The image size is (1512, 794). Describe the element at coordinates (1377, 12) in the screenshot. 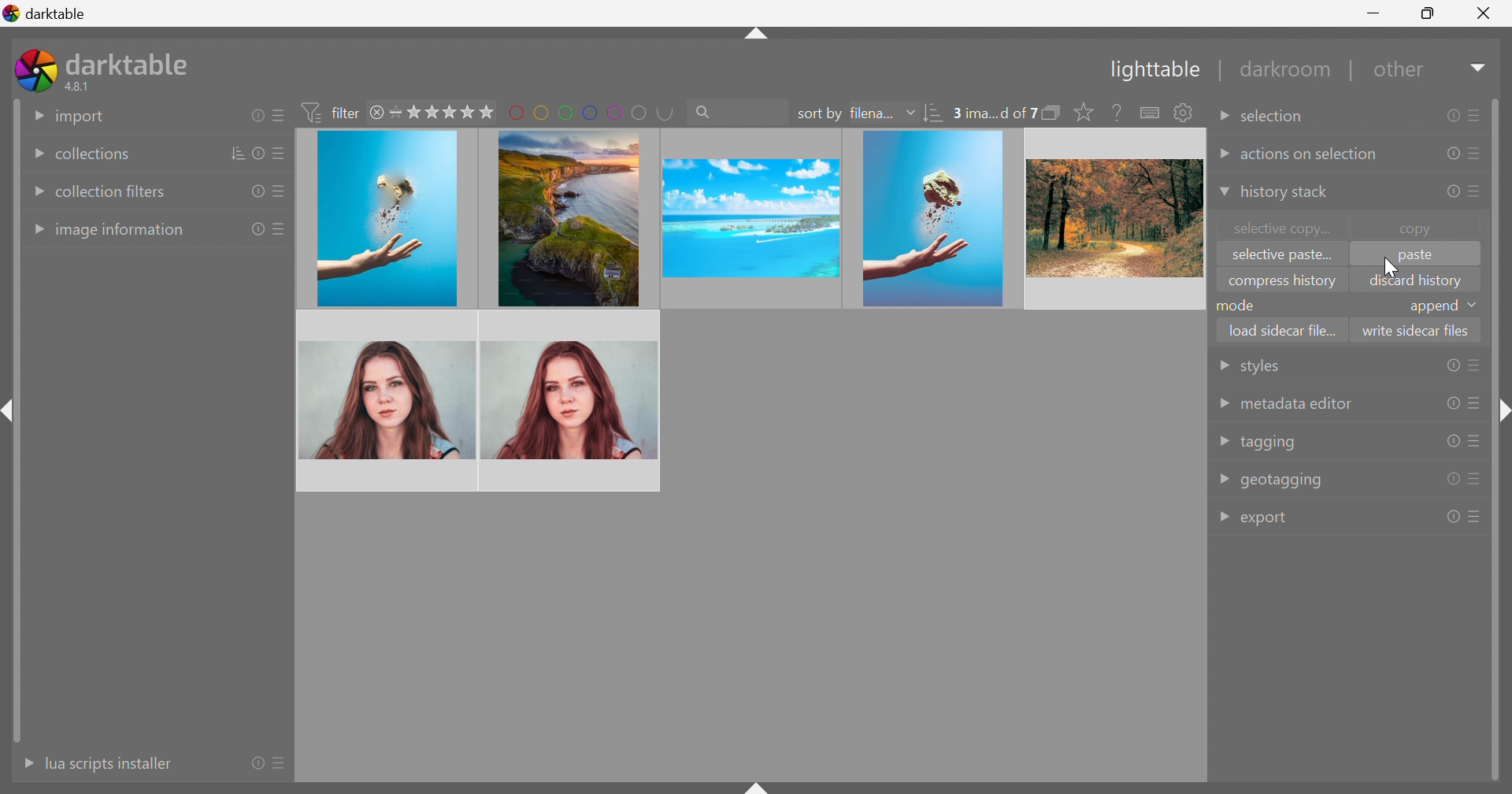

I see `Minimize` at that location.